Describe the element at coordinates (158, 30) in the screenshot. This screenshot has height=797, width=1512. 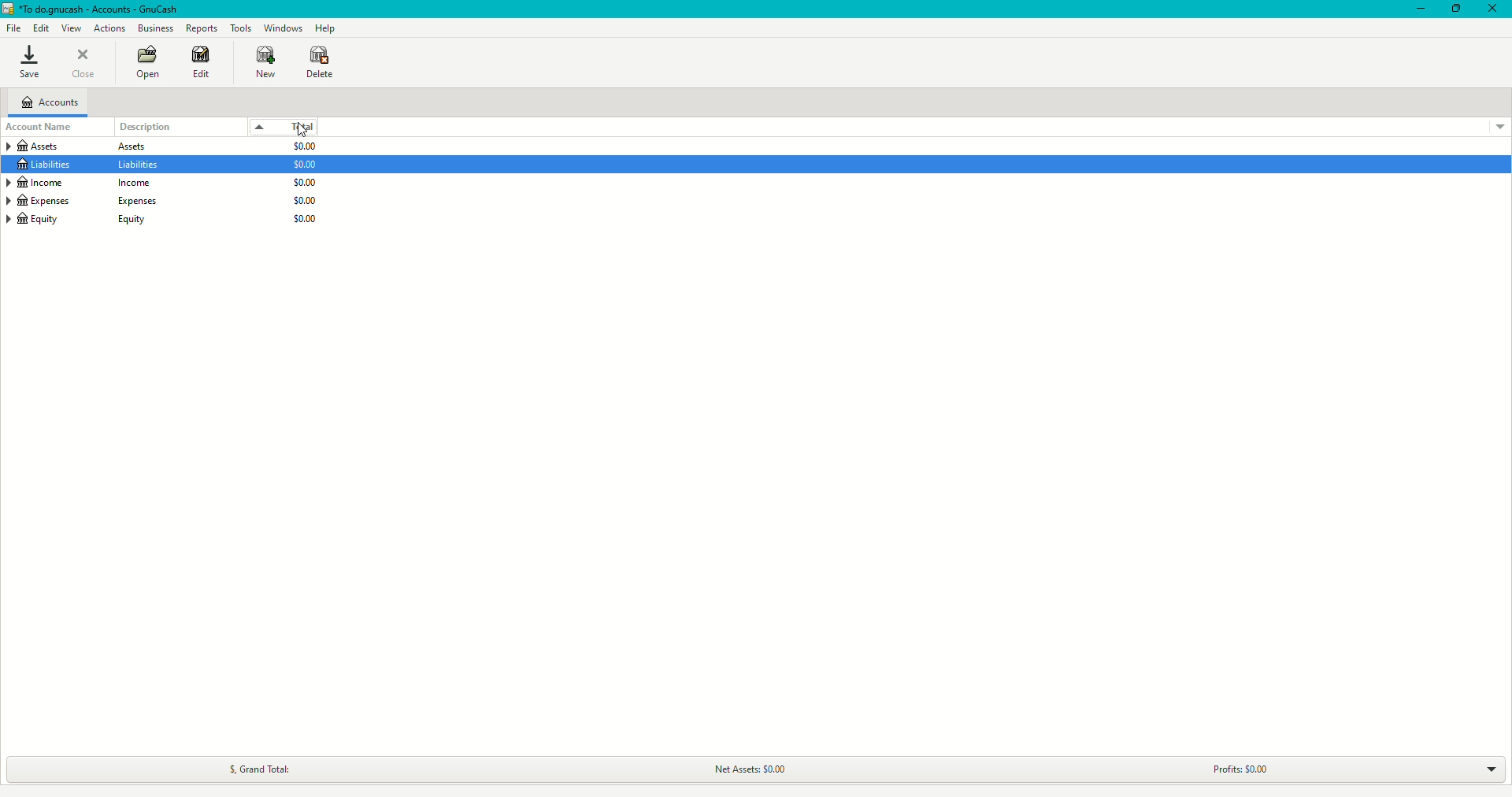
I see `Business` at that location.